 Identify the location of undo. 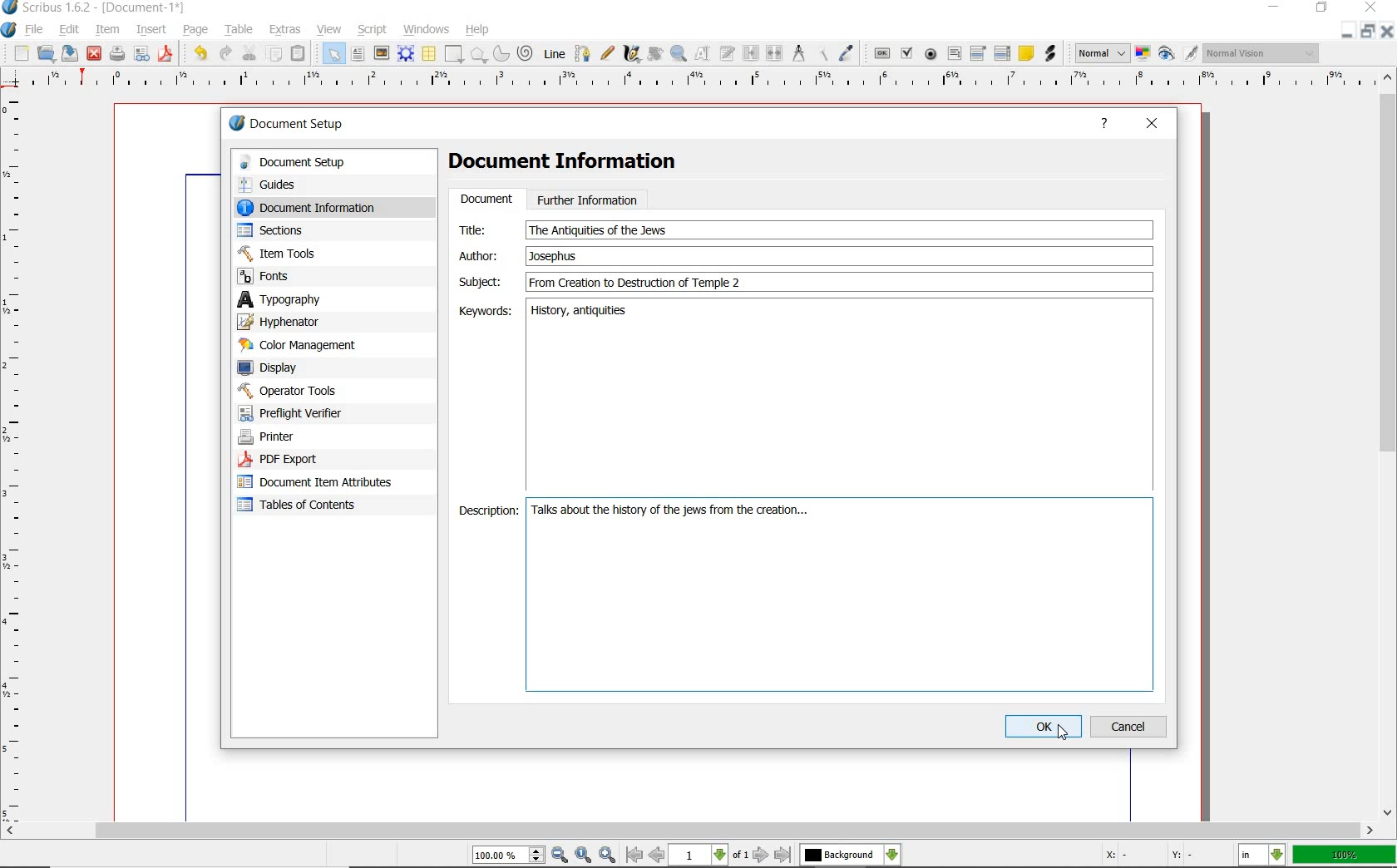
(200, 55).